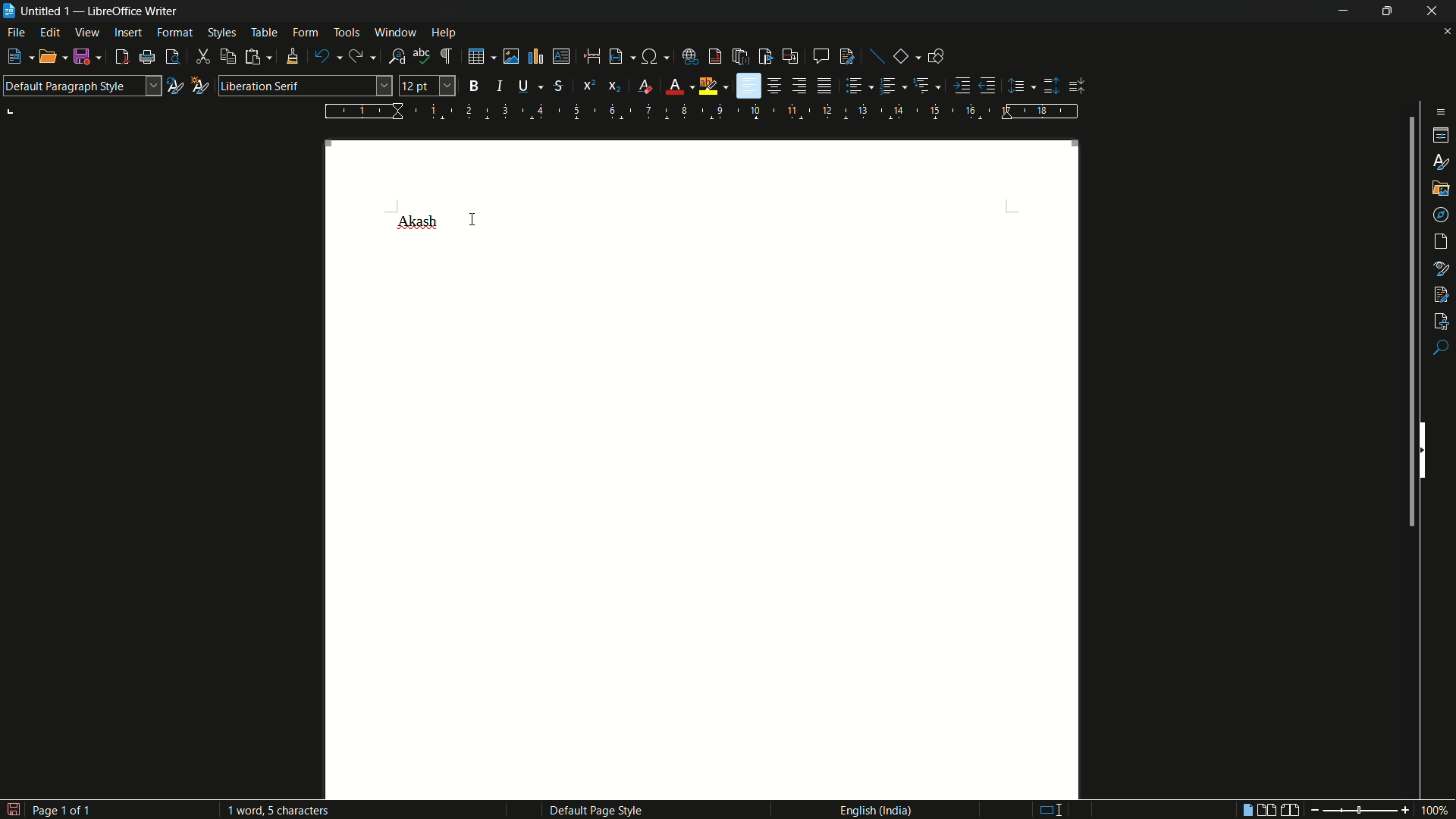 The width and height of the screenshot is (1456, 819). What do you see at coordinates (397, 57) in the screenshot?
I see `find and replace` at bounding box center [397, 57].